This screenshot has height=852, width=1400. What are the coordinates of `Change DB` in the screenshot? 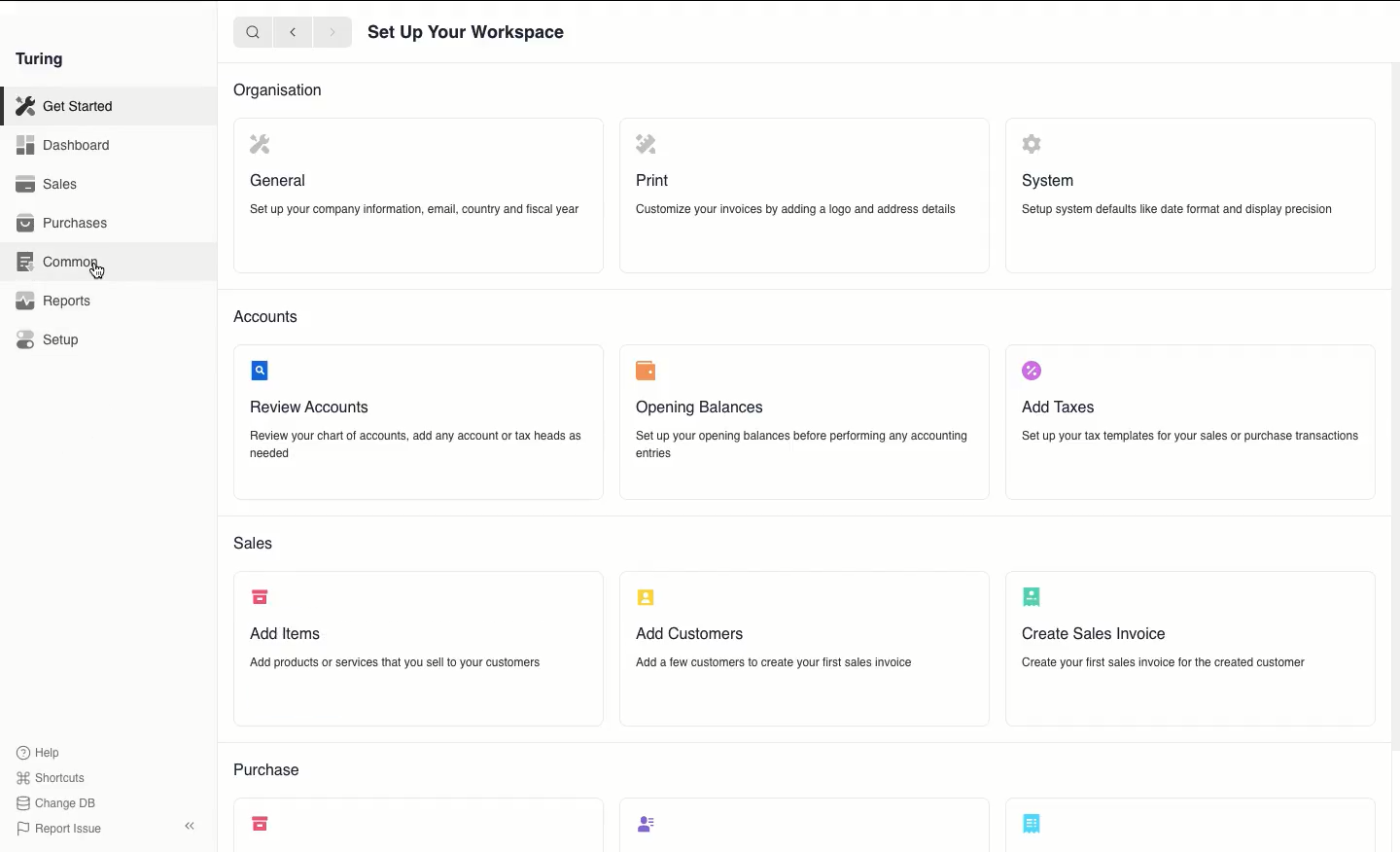 It's located at (55, 803).